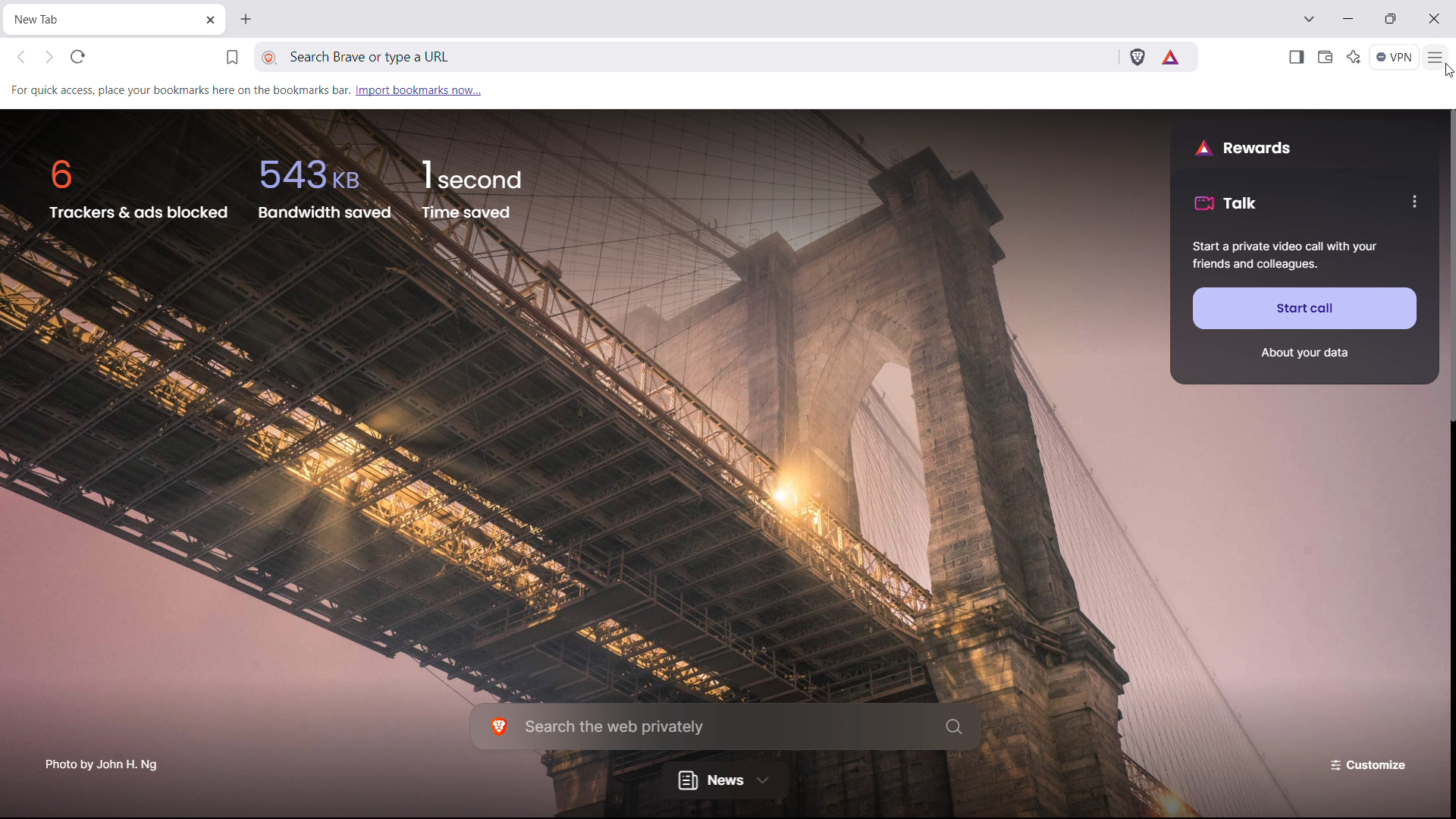 This screenshot has width=1456, height=819. What do you see at coordinates (106, 764) in the screenshot?
I see `Photo by John H. Ng` at bounding box center [106, 764].